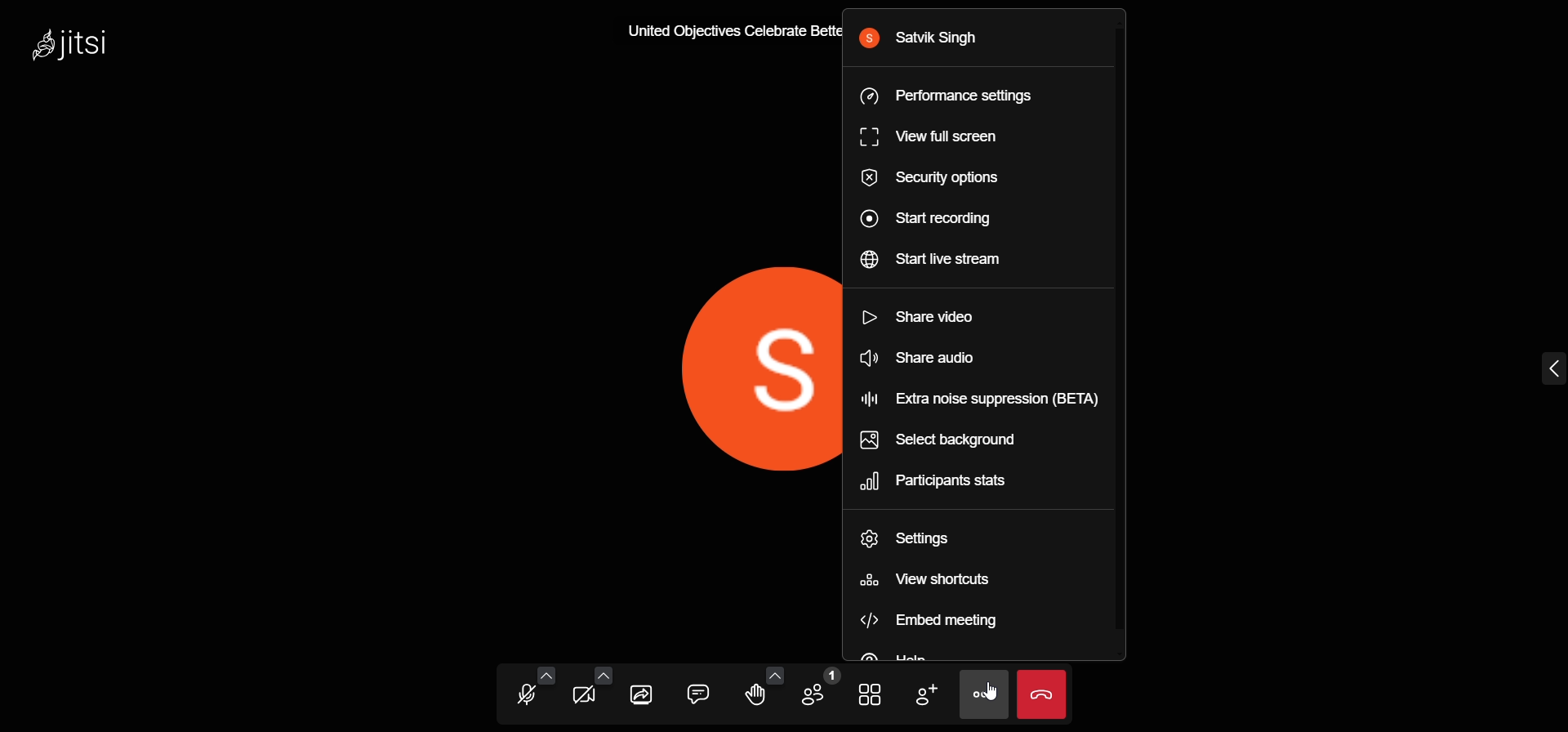  I want to click on chat, so click(697, 692).